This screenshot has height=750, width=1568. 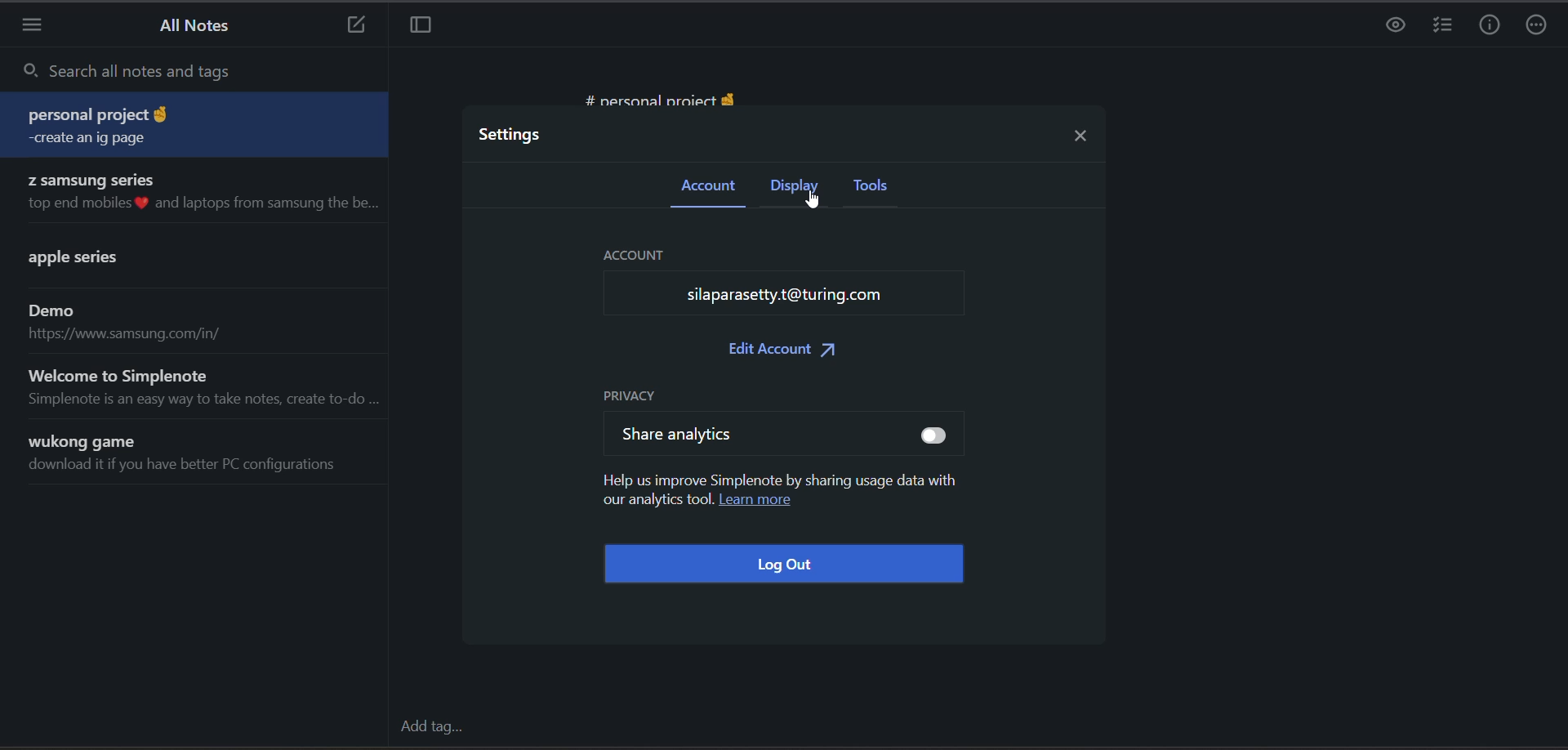 What do you see at coordinates (434, 730) in the screenshot?
I see `add tag` at bounding box center [434, 730].